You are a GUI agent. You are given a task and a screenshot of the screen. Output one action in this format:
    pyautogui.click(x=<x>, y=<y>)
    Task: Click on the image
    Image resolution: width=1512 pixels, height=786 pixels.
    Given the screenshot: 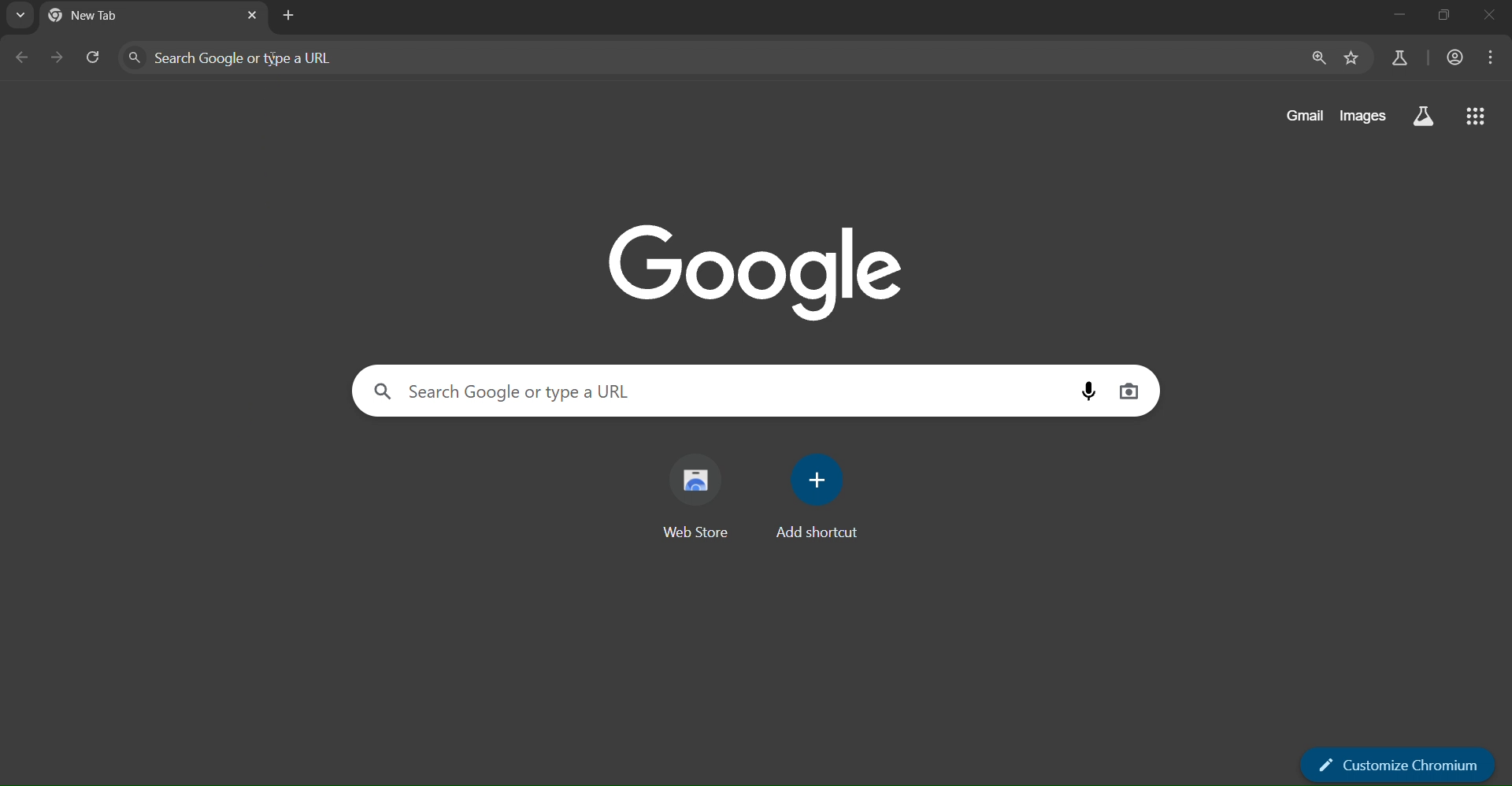 What is the action you would take?
    pyautogui.click(x=752, y=272)
    